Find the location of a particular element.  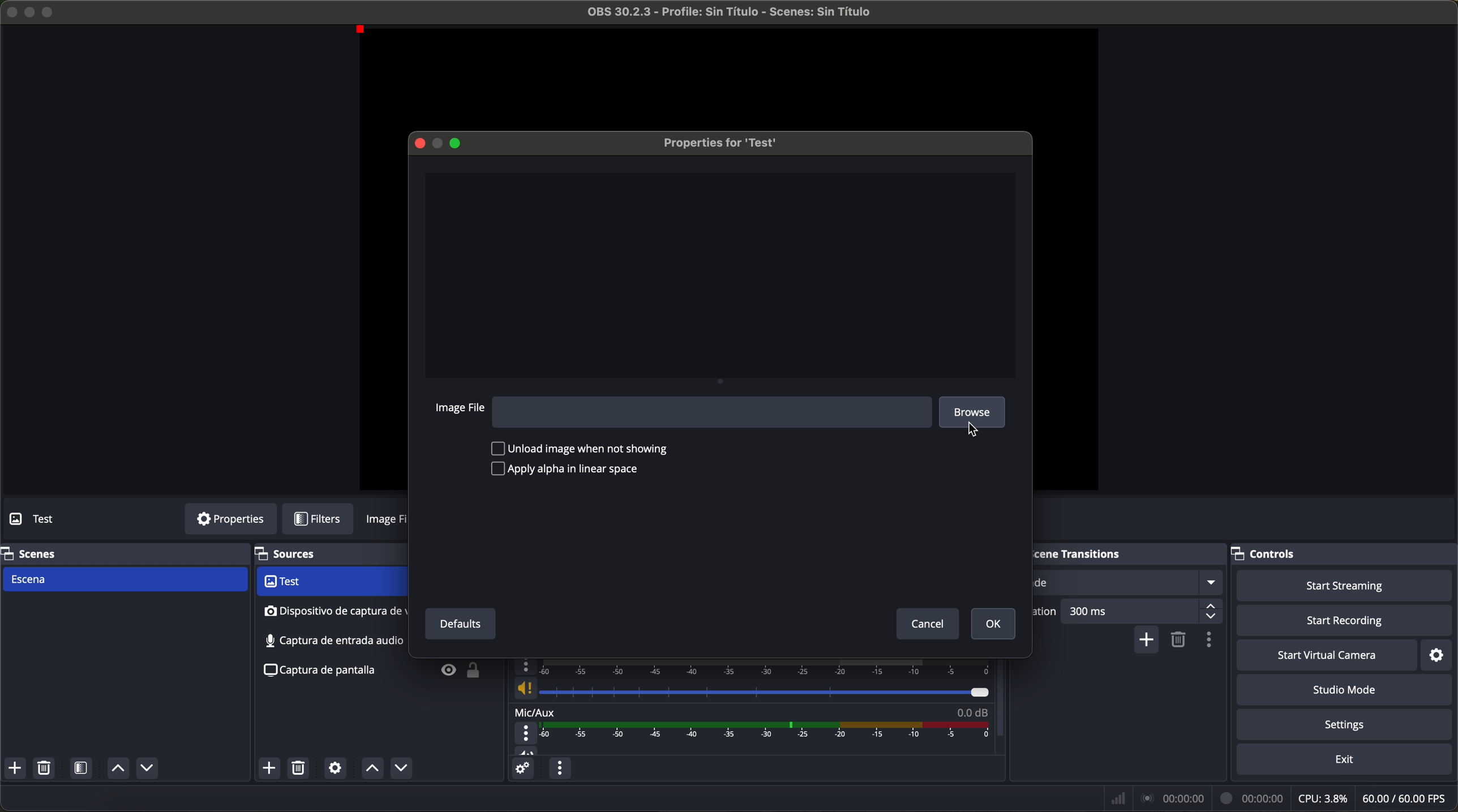

screenshot is located at coordinates (331, 641).